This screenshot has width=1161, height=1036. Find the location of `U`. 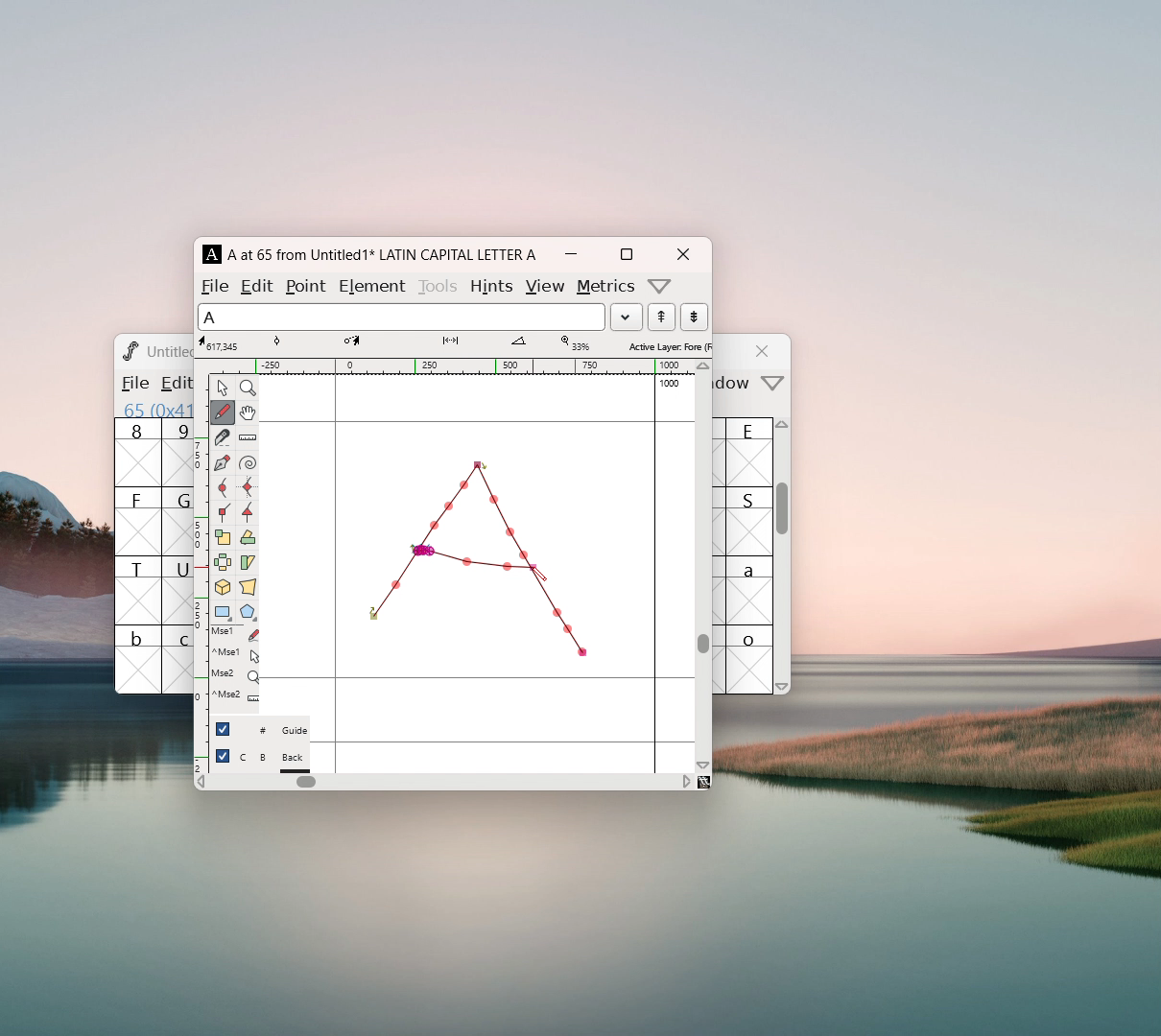

U is located at coordinates (178, 590).